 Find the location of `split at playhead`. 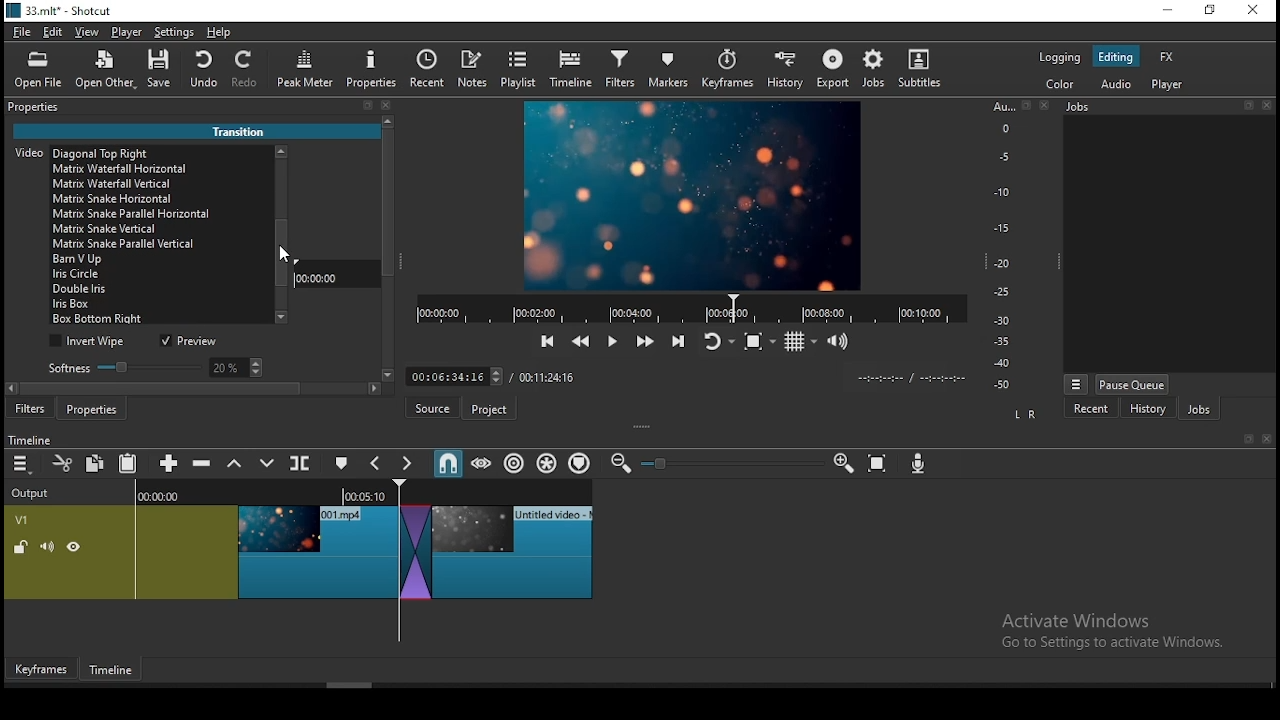

split at playhead is located at coordinates (302, 465).